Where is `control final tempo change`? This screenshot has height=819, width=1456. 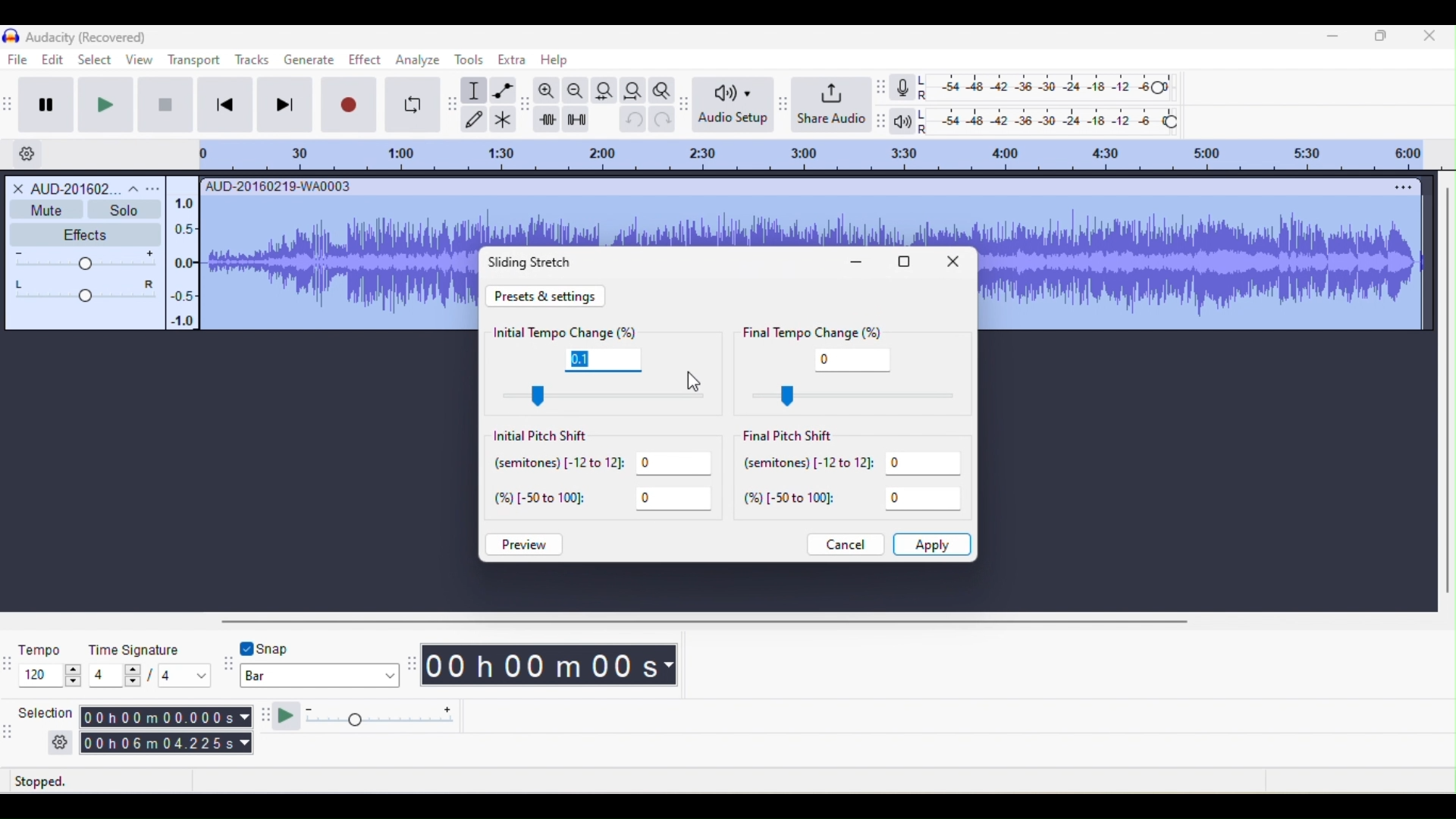
control final tempo change is located at coordinates (859, 397).